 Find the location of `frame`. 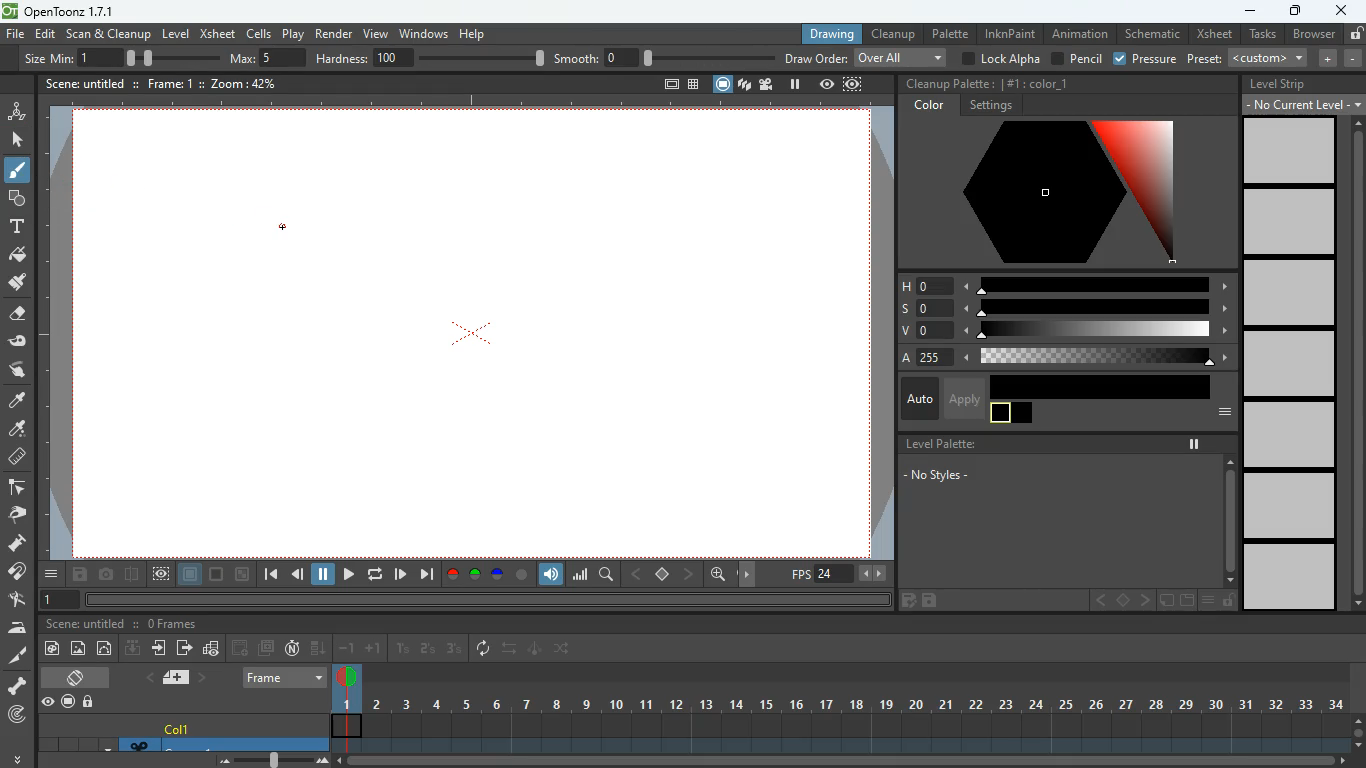

frame is located at coordinates (286, 677).